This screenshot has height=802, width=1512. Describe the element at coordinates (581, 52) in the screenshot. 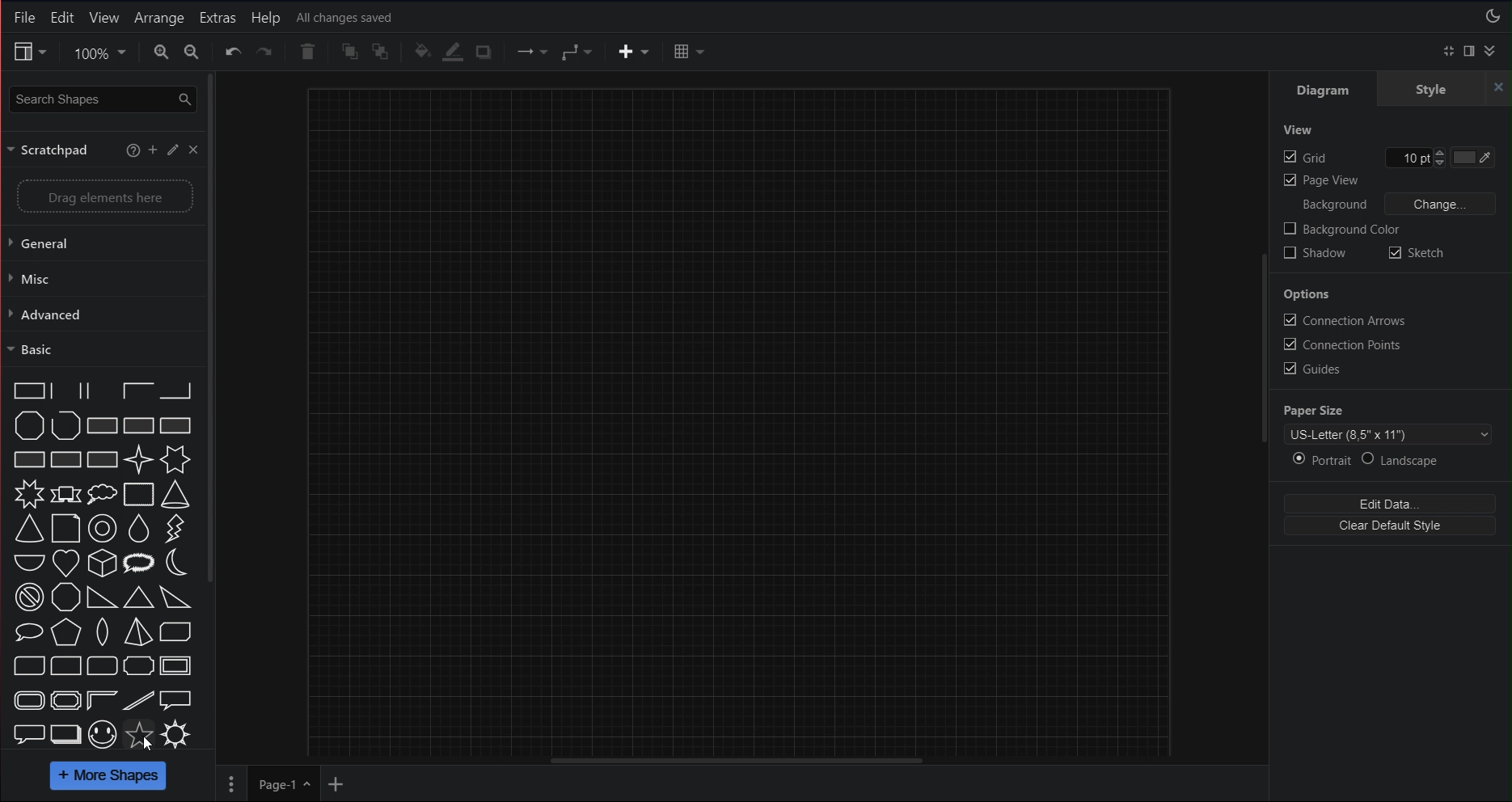

I see `Waypoint` at that location.